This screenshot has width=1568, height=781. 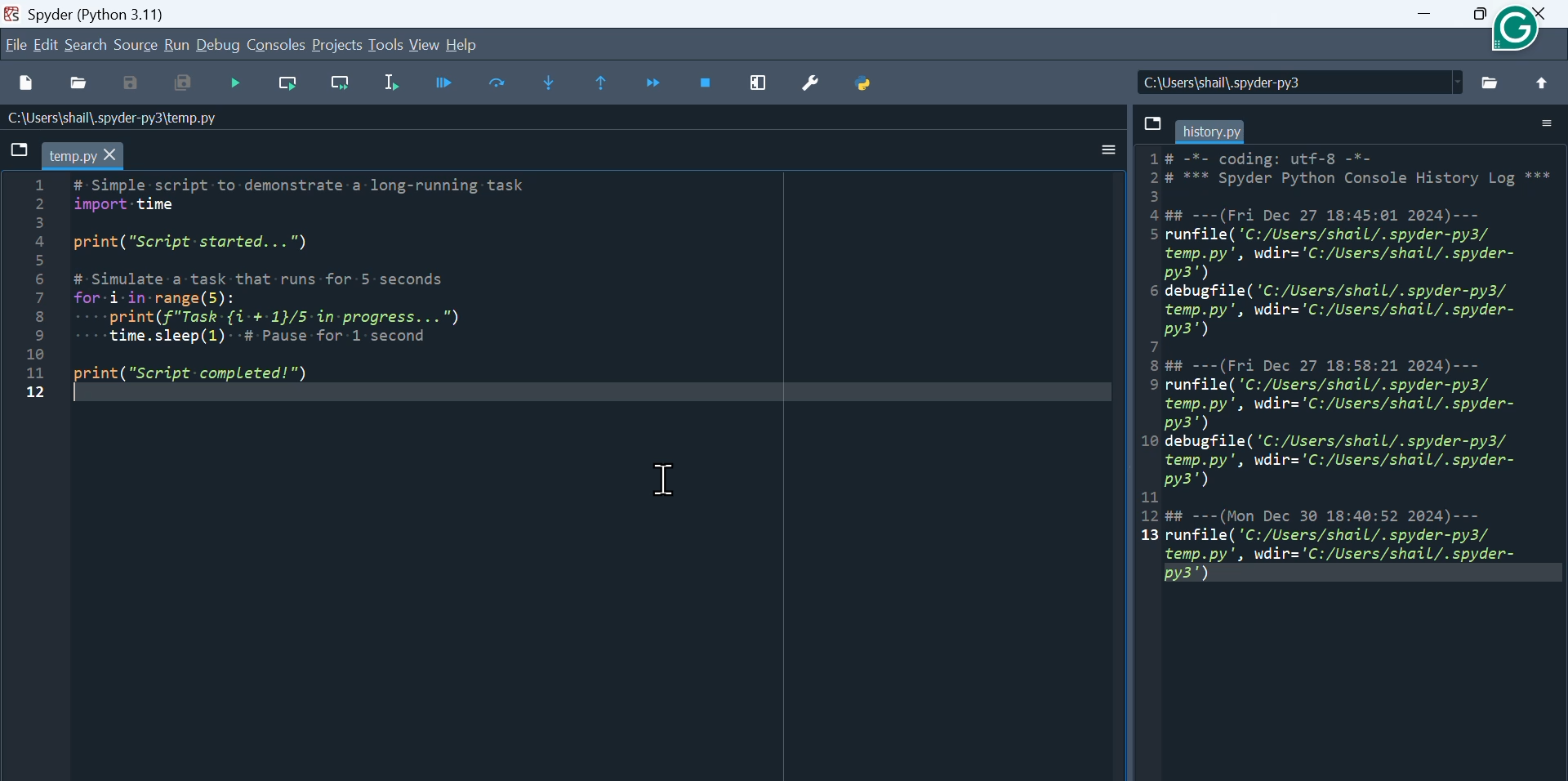 I want to click on 1 # Simple script to-demonstrate-a- long-running task
2 import-time

5)

4 print("Script-started...")

5

6  # Simulate a task that runs for 5 seconds
7 for-i-in-range(5):

8 ----print(f"Task-{i-+-1}/5 in -progress...")
El ----time.sleep(1)- -# Pause for 1 second

10

11 print("Script-completed!")

12 |, so click(x=274, y=292).